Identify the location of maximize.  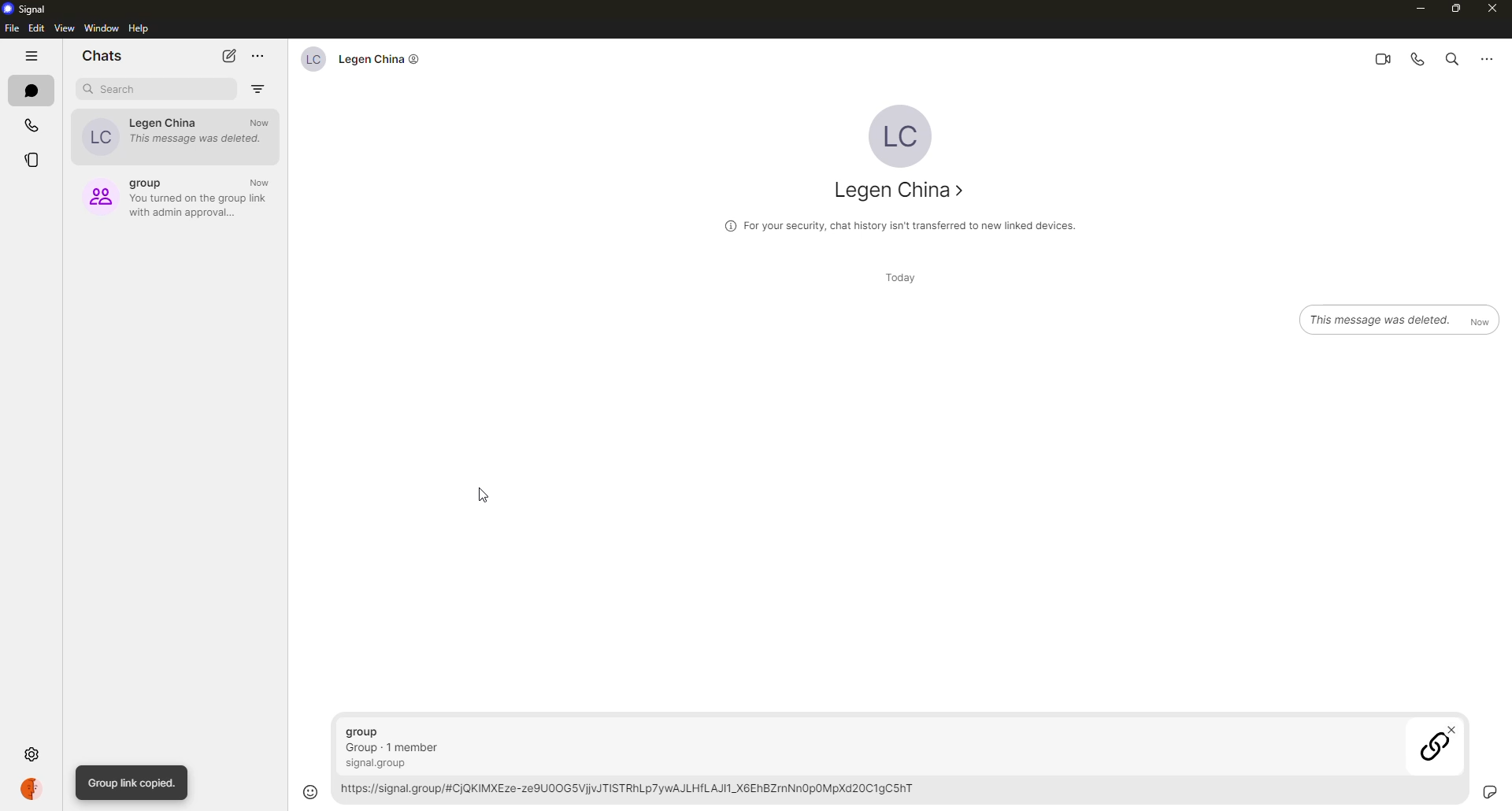
(1457, 9).